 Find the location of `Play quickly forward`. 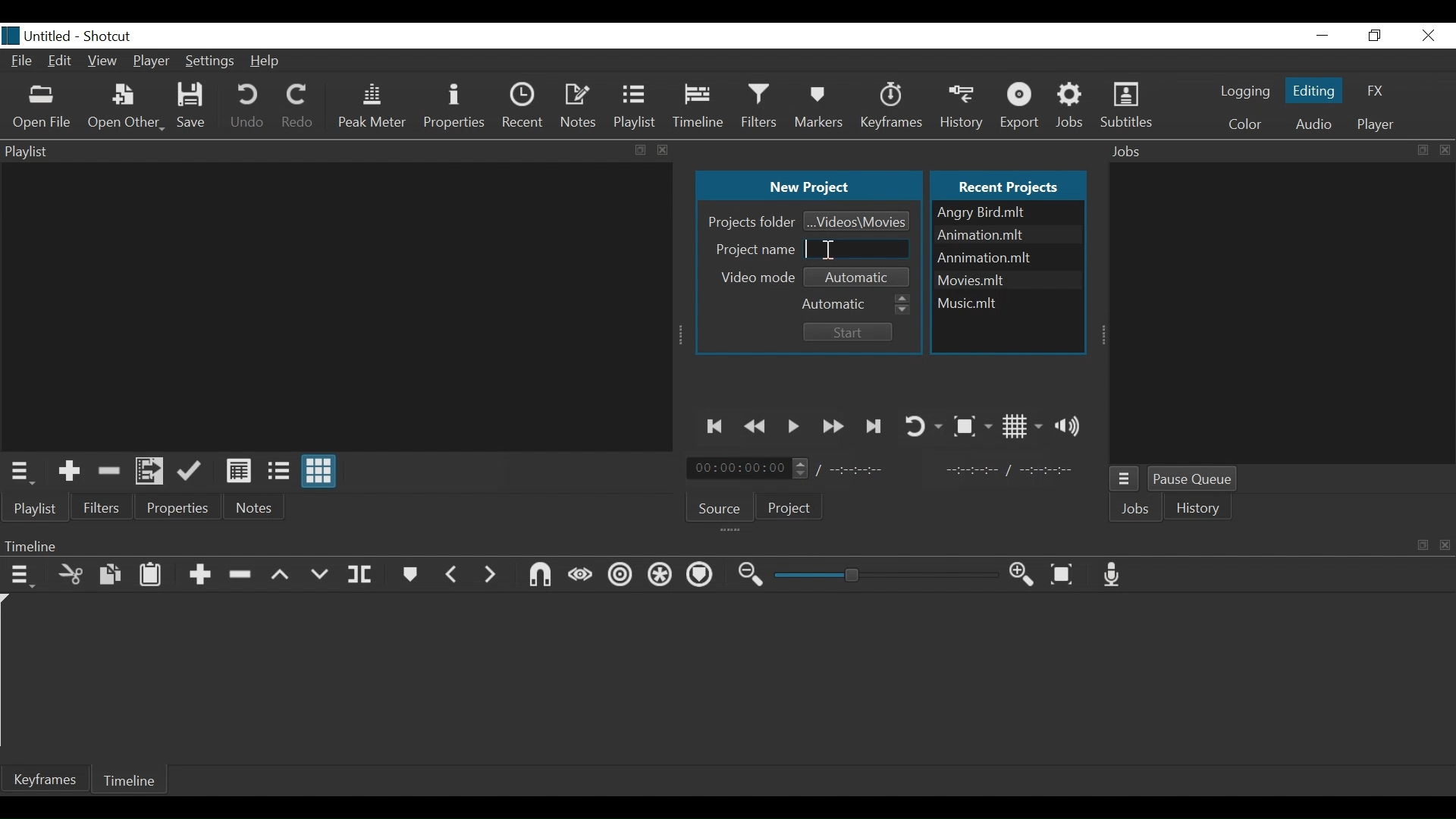

Play quickly forward is located at coordinates (833, 426).